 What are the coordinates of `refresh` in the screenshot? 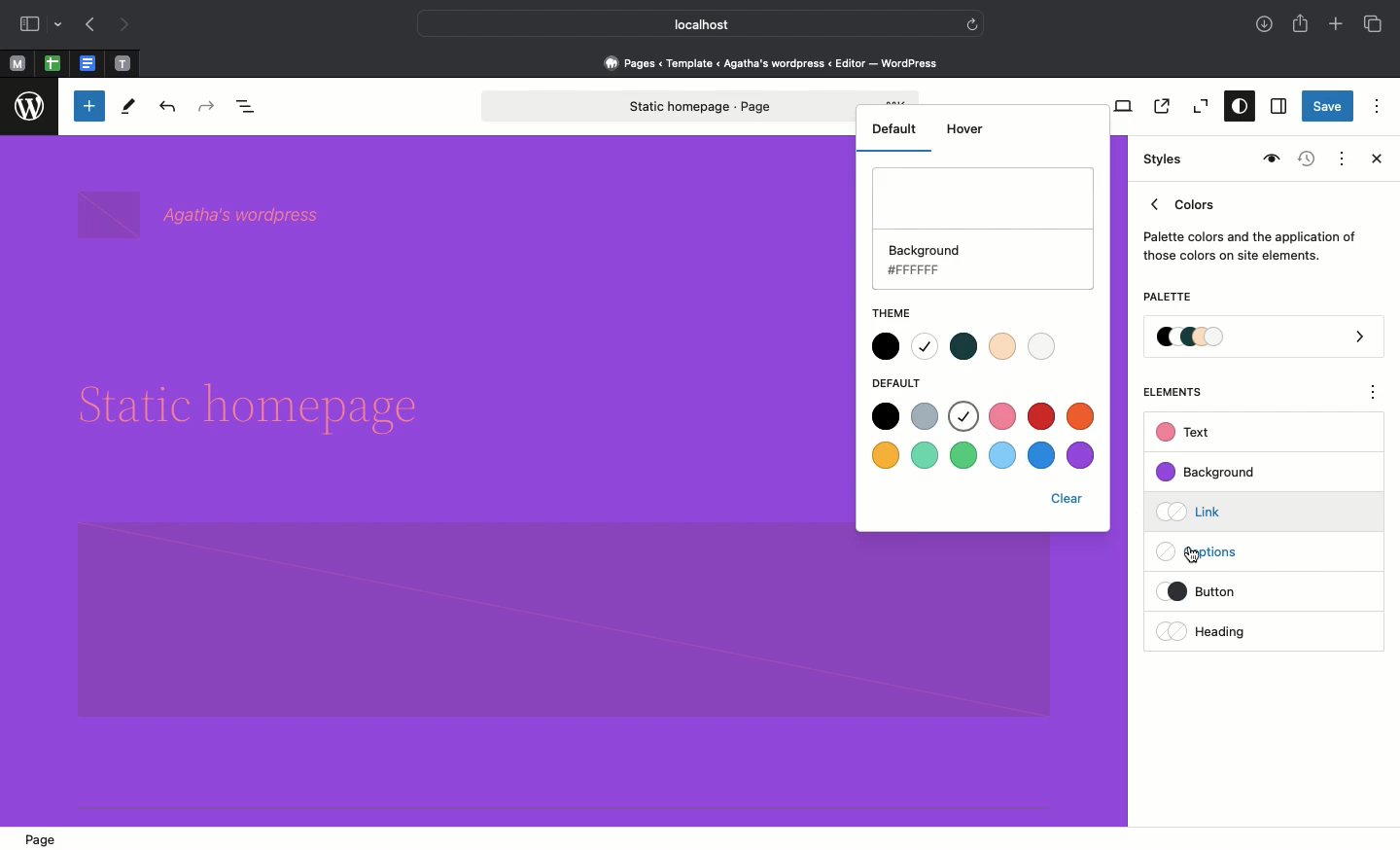 It's located at (972, 22).